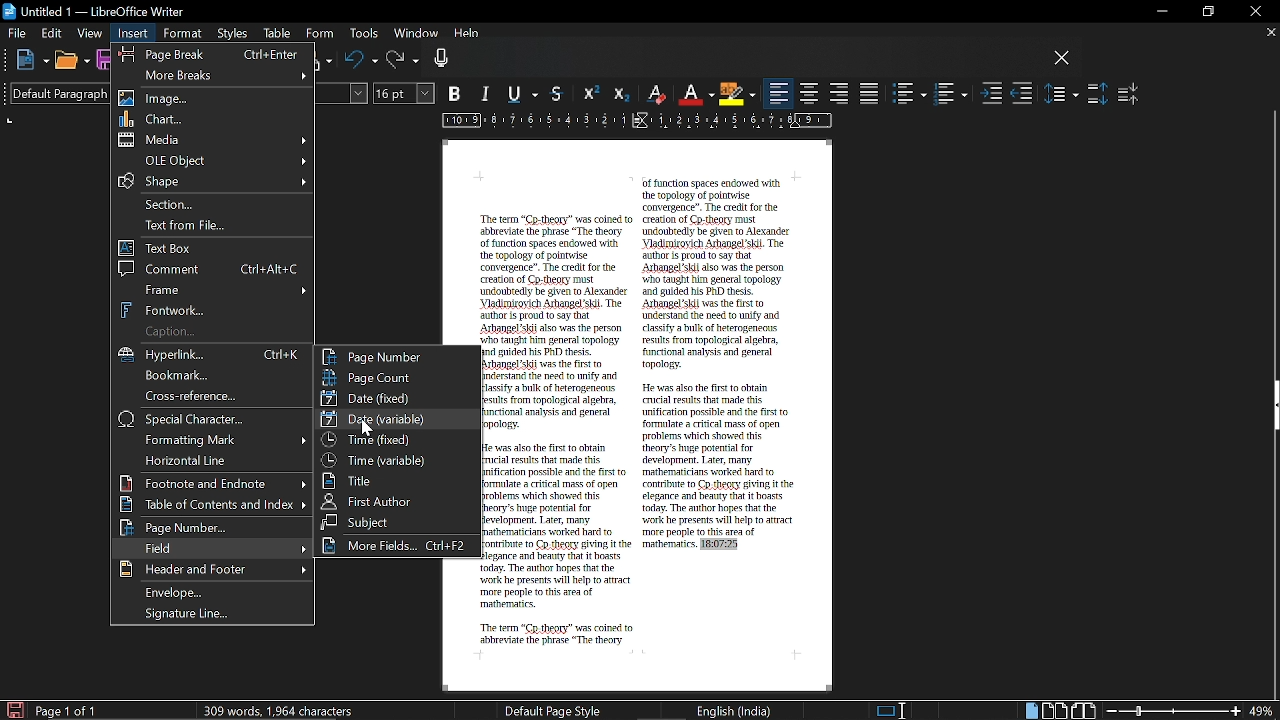 This screenshot has width=1280, height=720. What do you see at coordinates (870, 93) in the screenshot?
I see `Justified` at bounding box center [870, 93].